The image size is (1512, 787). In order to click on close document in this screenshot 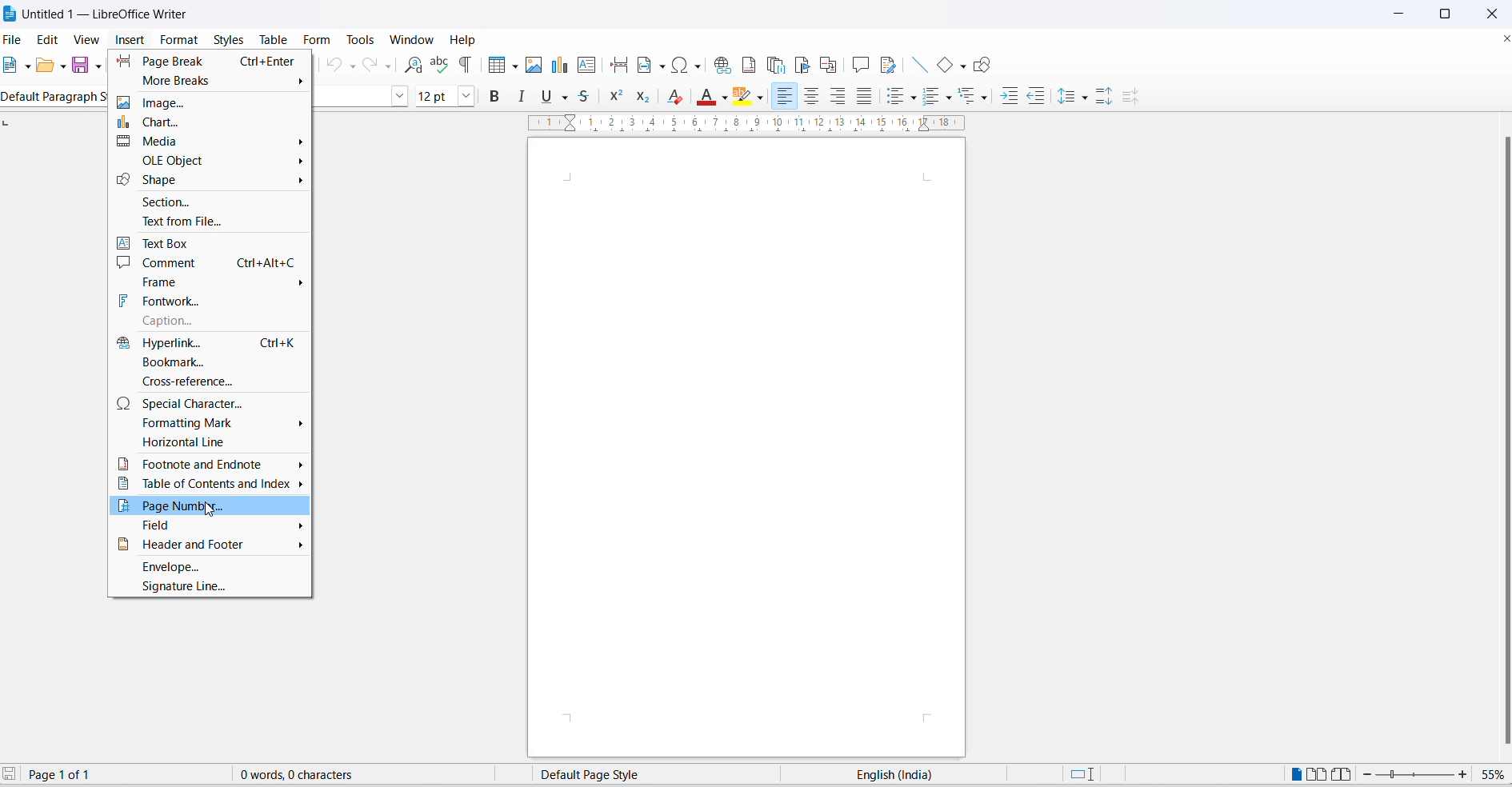, I will do `click(1502, 41)`.